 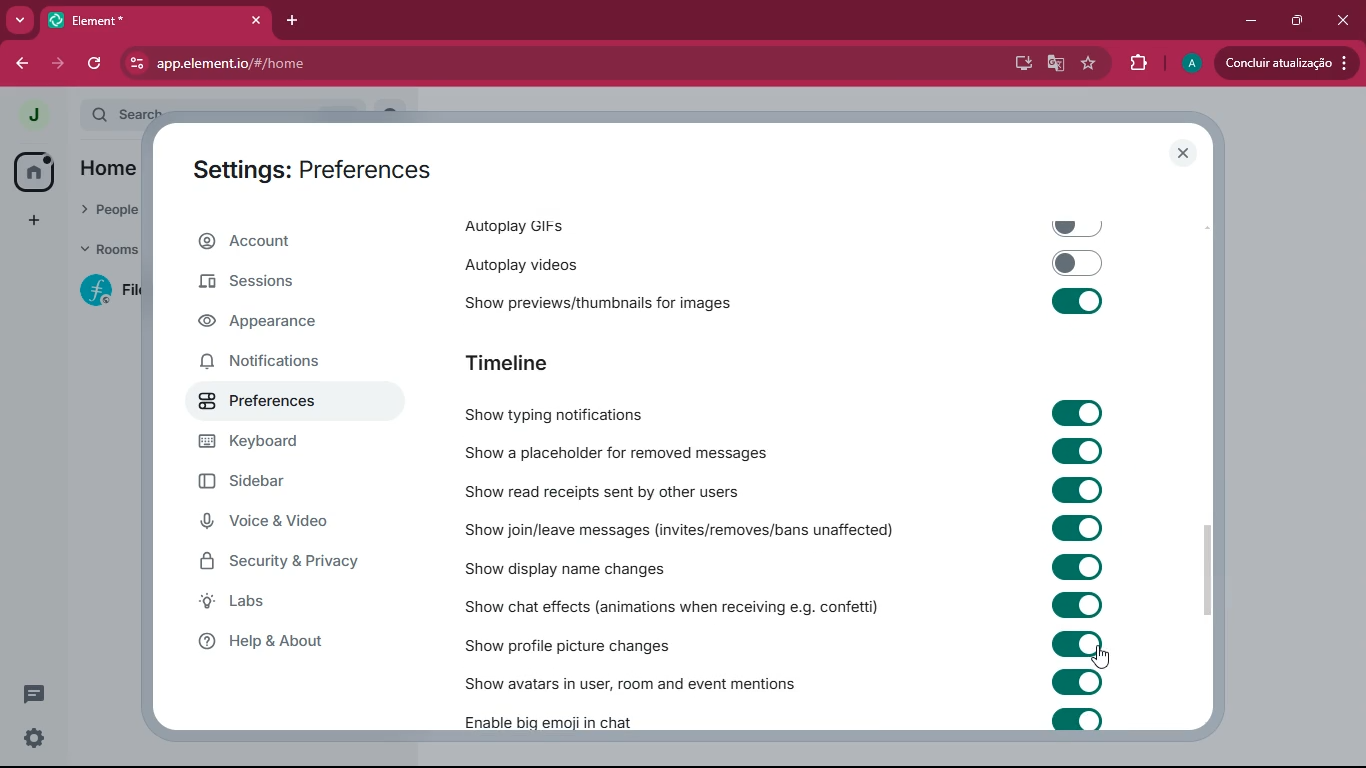 What do you see at coordinates (300, 646) in the screenshot?
I see `help & about` at bounding box center [300, 646].